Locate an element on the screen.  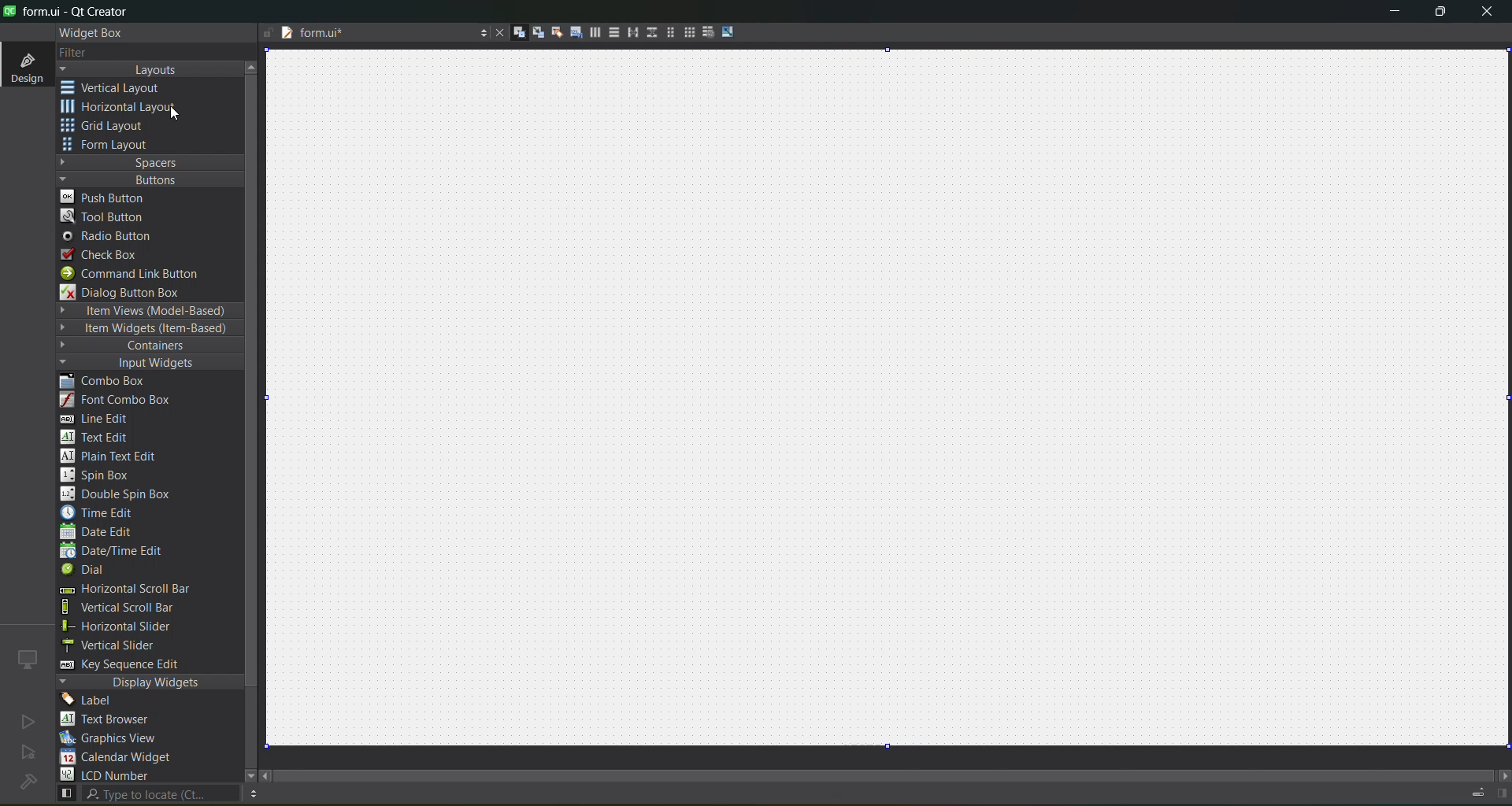
line edit  is located at coordinates (102, 419).